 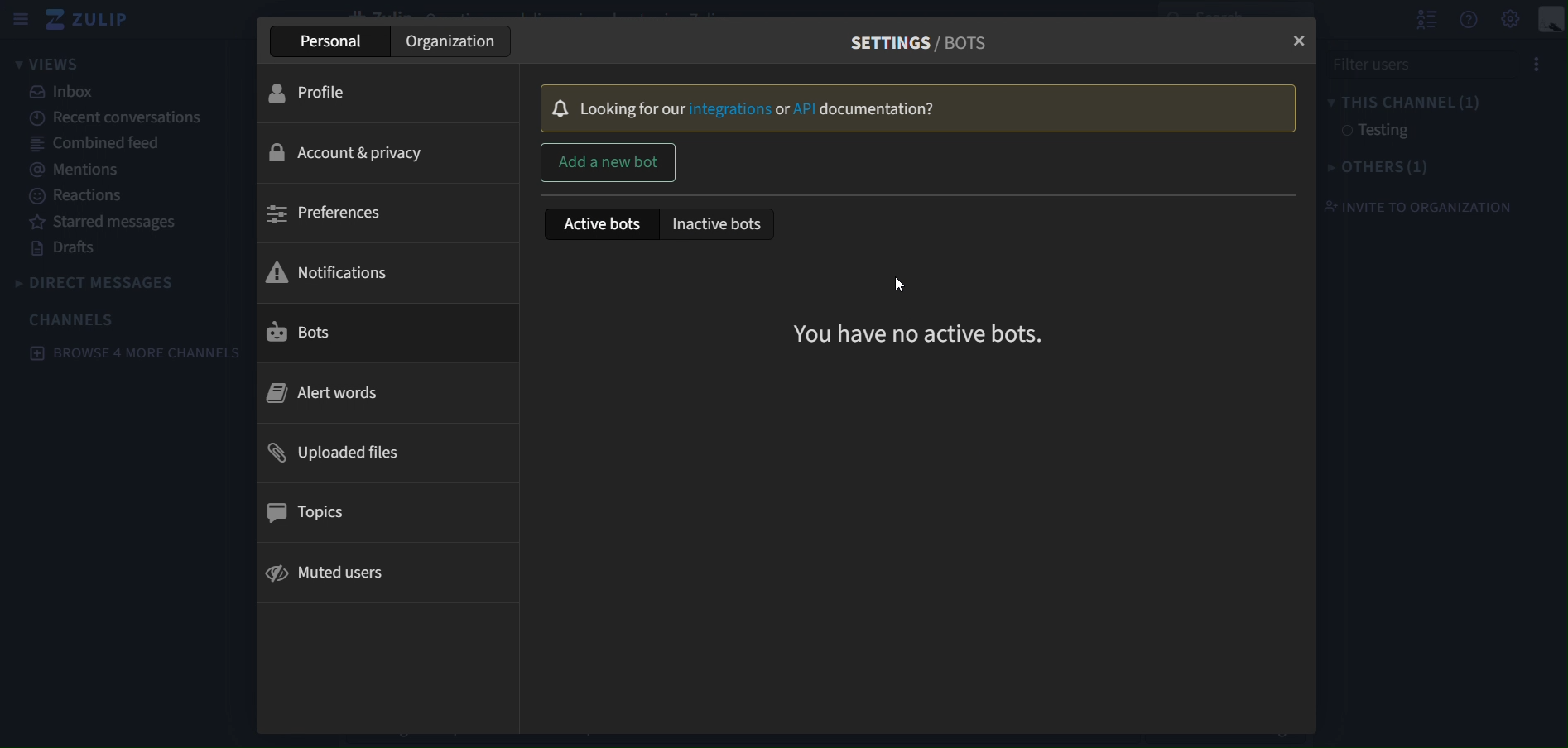 What do you see at coordinates (65, 91) in the screenshot?
I see `inbox` at bounding box center [65, 91].